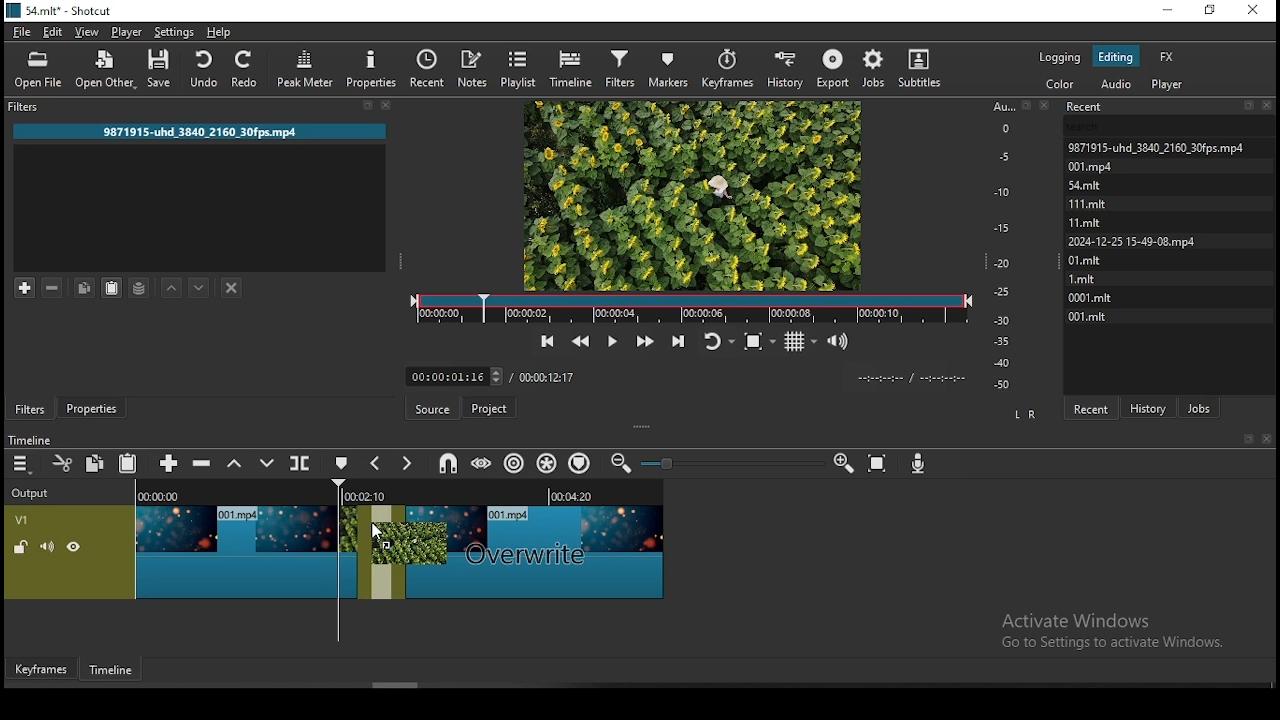 Image resolution: width=1280 pixels, height=720 pixels. What do you see at coordinates (75, 547) in the screenshot?
I see `(un)hide` at bounding box center [75, 547].